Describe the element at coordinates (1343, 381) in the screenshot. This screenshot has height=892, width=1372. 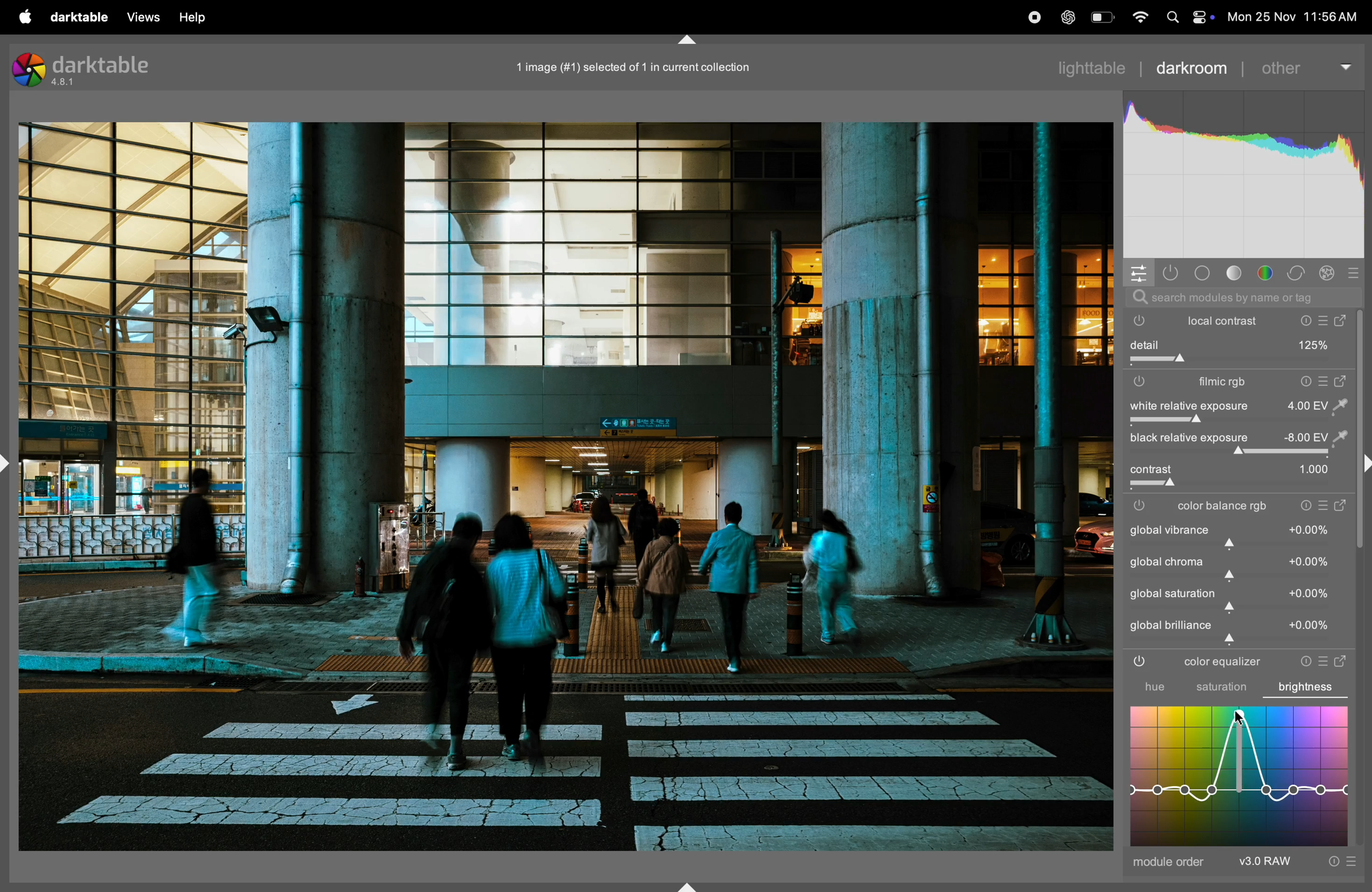
I see `open window` at that location.